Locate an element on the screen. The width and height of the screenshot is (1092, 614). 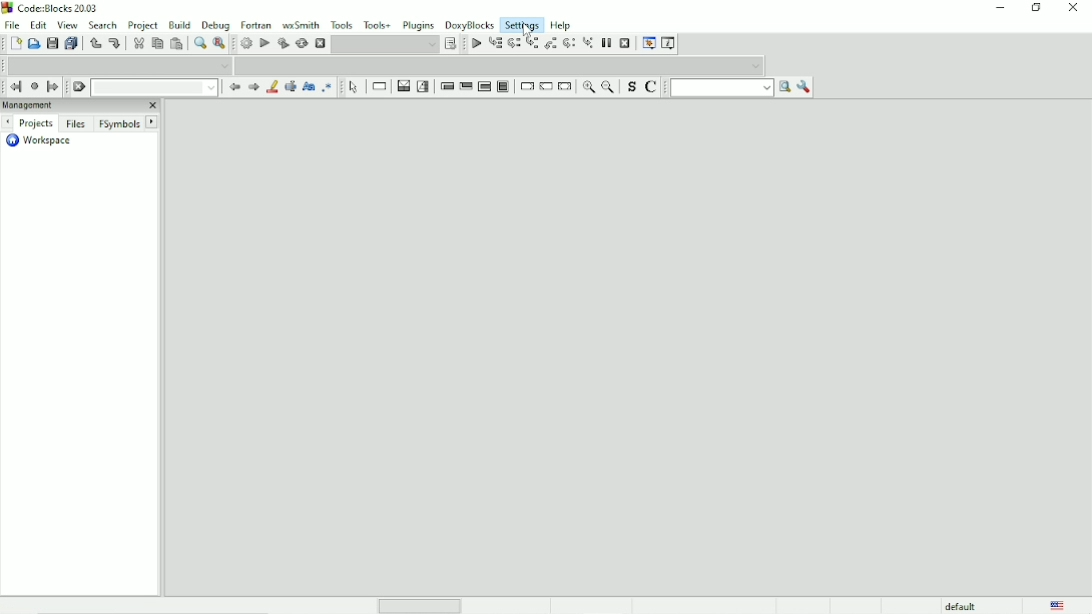
Step out is located at coordinates (550, 44).